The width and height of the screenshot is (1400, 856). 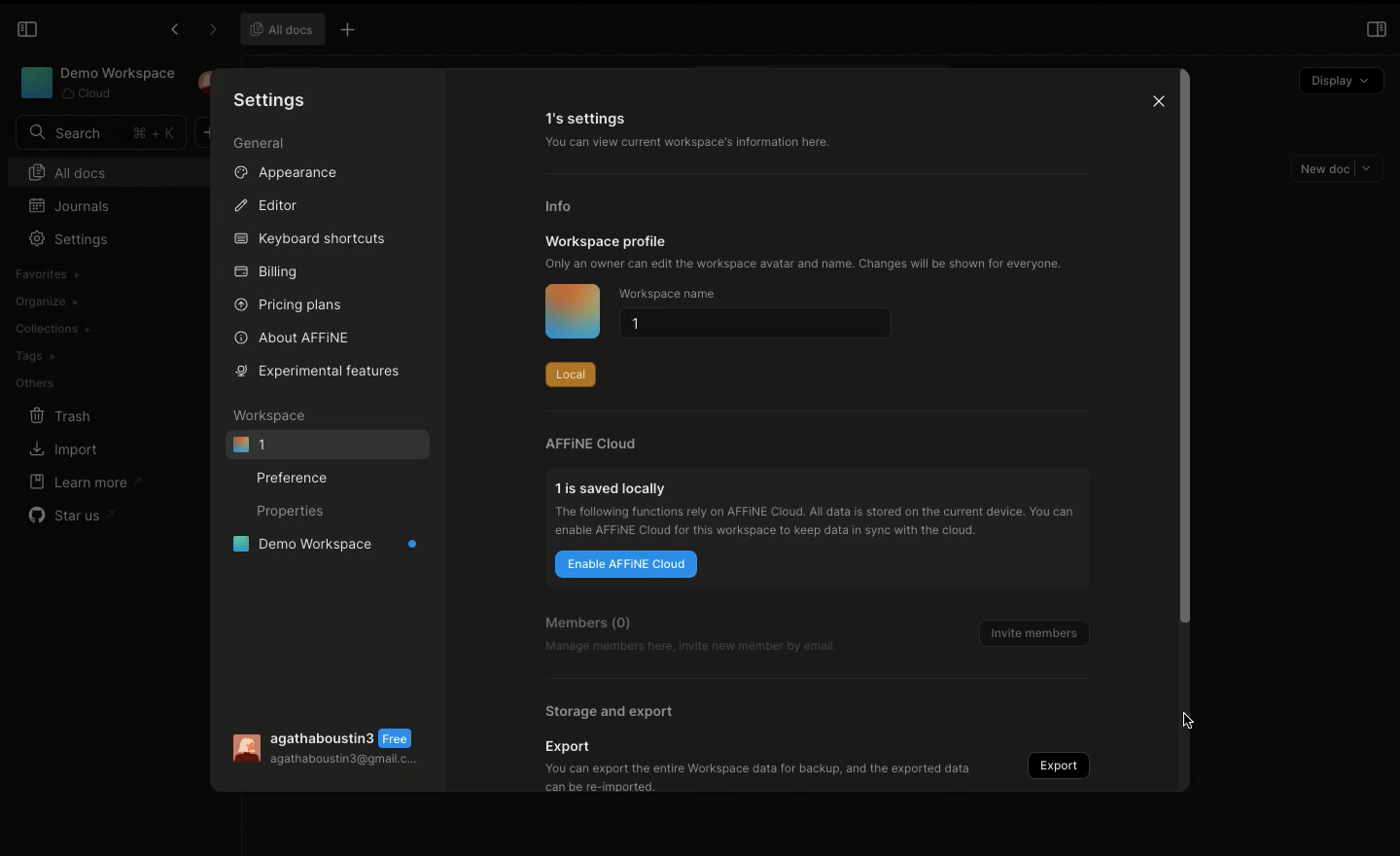 I want to click on Workspace, so click(x=273, y=415).